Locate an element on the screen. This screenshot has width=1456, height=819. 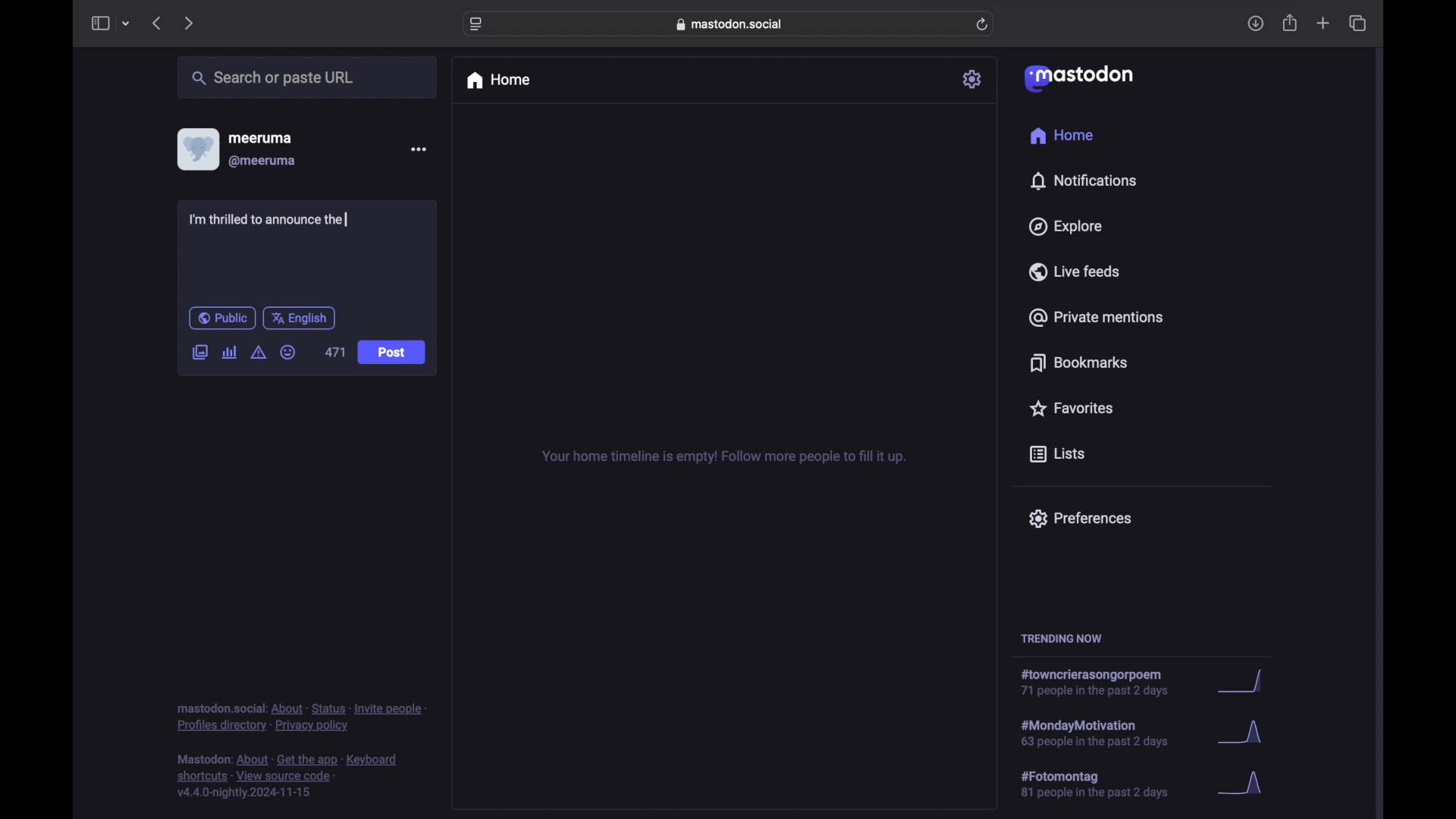
downloads is located at coordinates (1255, 24).